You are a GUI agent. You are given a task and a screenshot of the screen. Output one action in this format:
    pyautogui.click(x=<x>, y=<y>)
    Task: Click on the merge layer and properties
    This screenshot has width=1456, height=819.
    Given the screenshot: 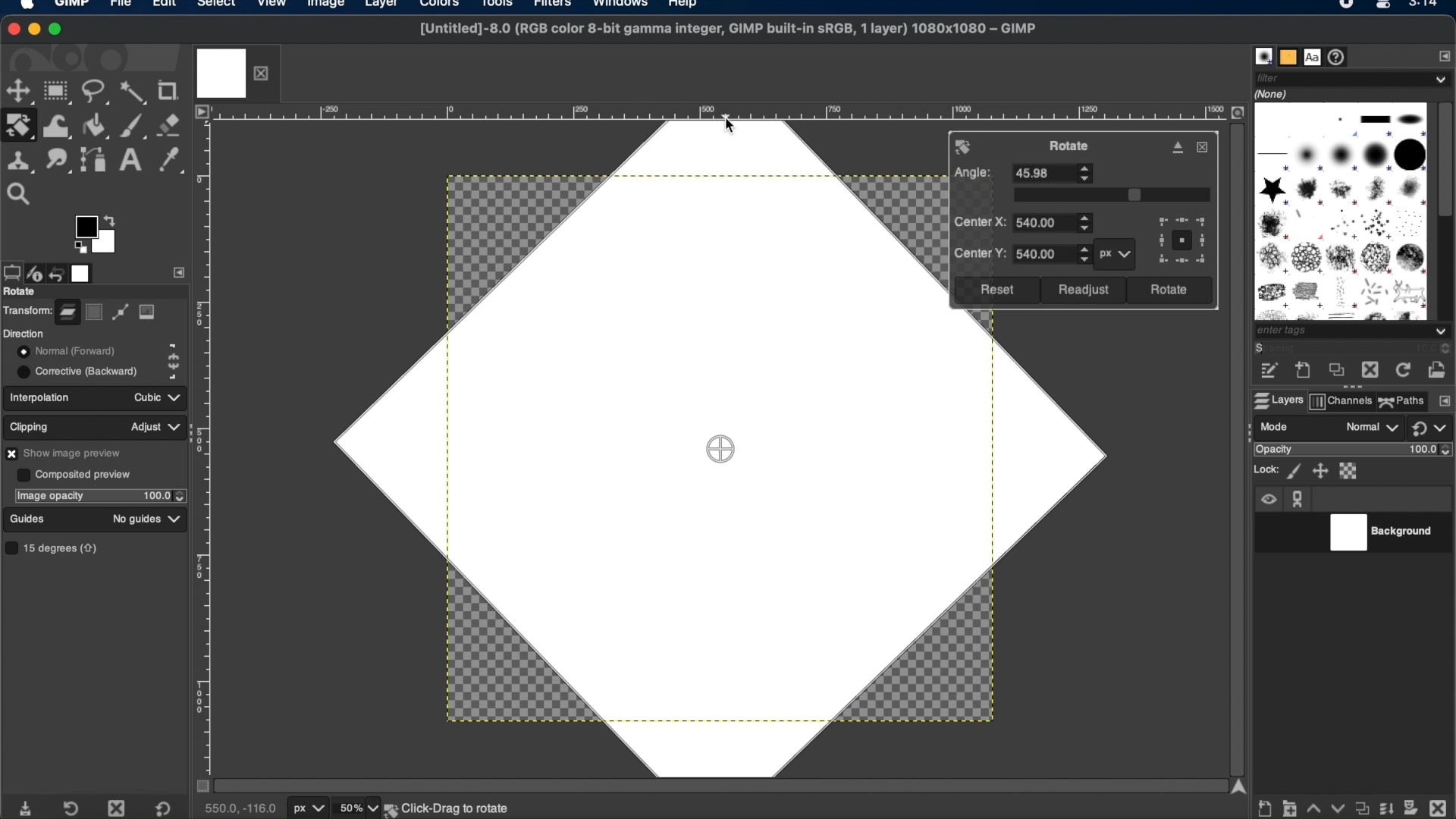 What is the action you would take?
    pyautogui.click(x=1384, y=805)
    